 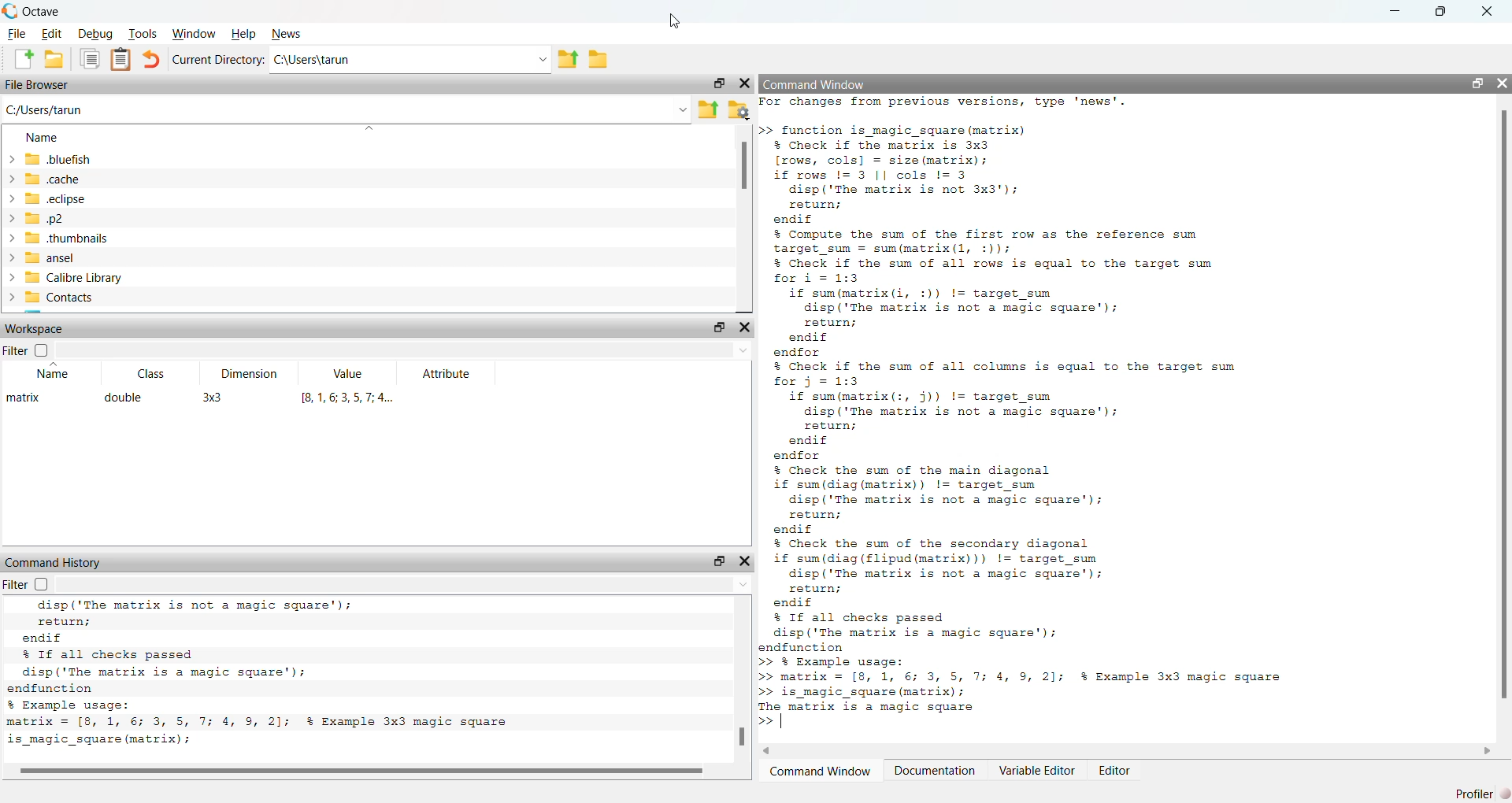 What do you see at coordinates (194, 34) in the screenshot?
I see `Window` at bounding box center [194, 34].